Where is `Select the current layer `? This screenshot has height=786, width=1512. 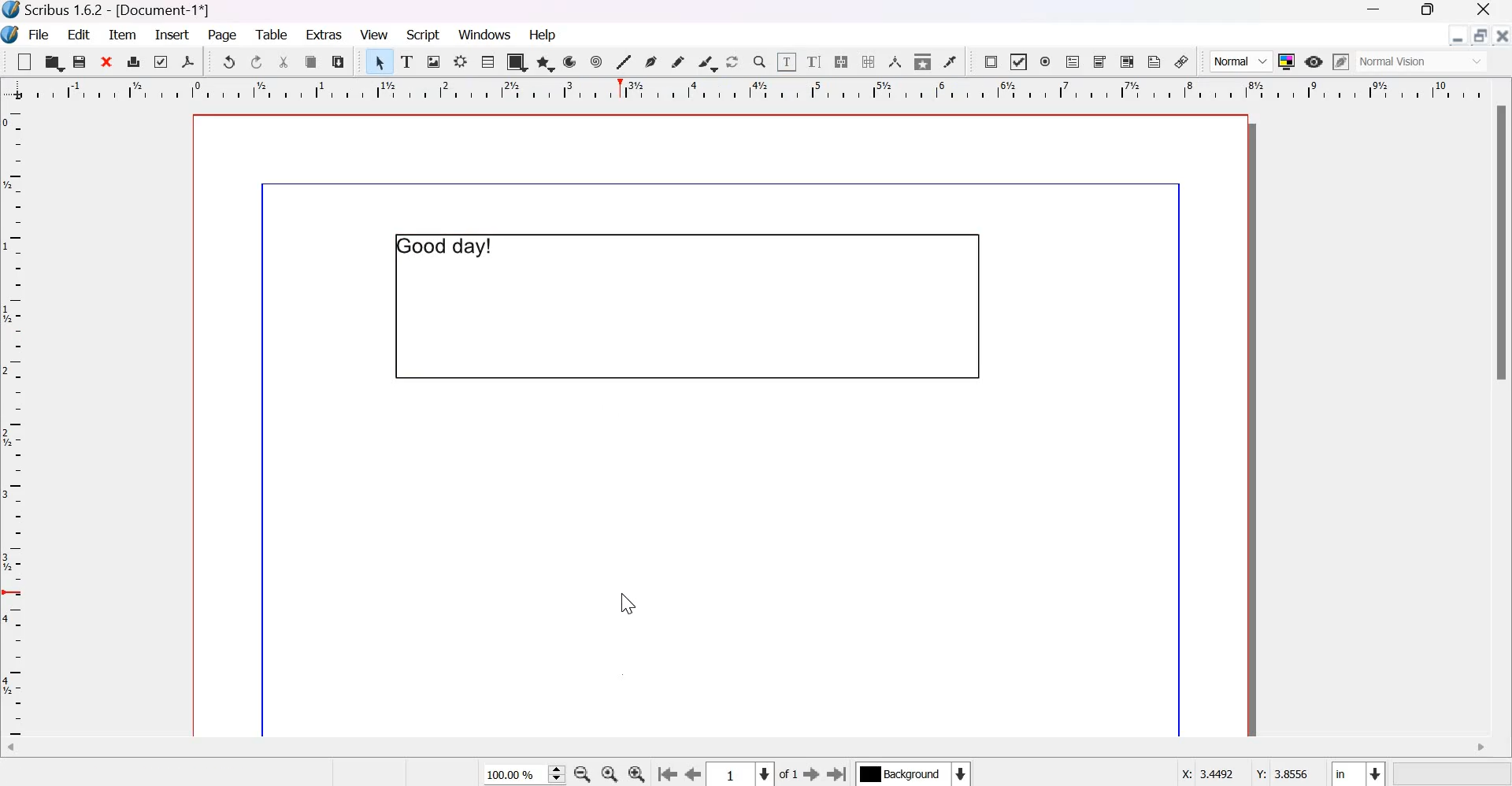
Select the current layer  is located at coordinates (912, 773).